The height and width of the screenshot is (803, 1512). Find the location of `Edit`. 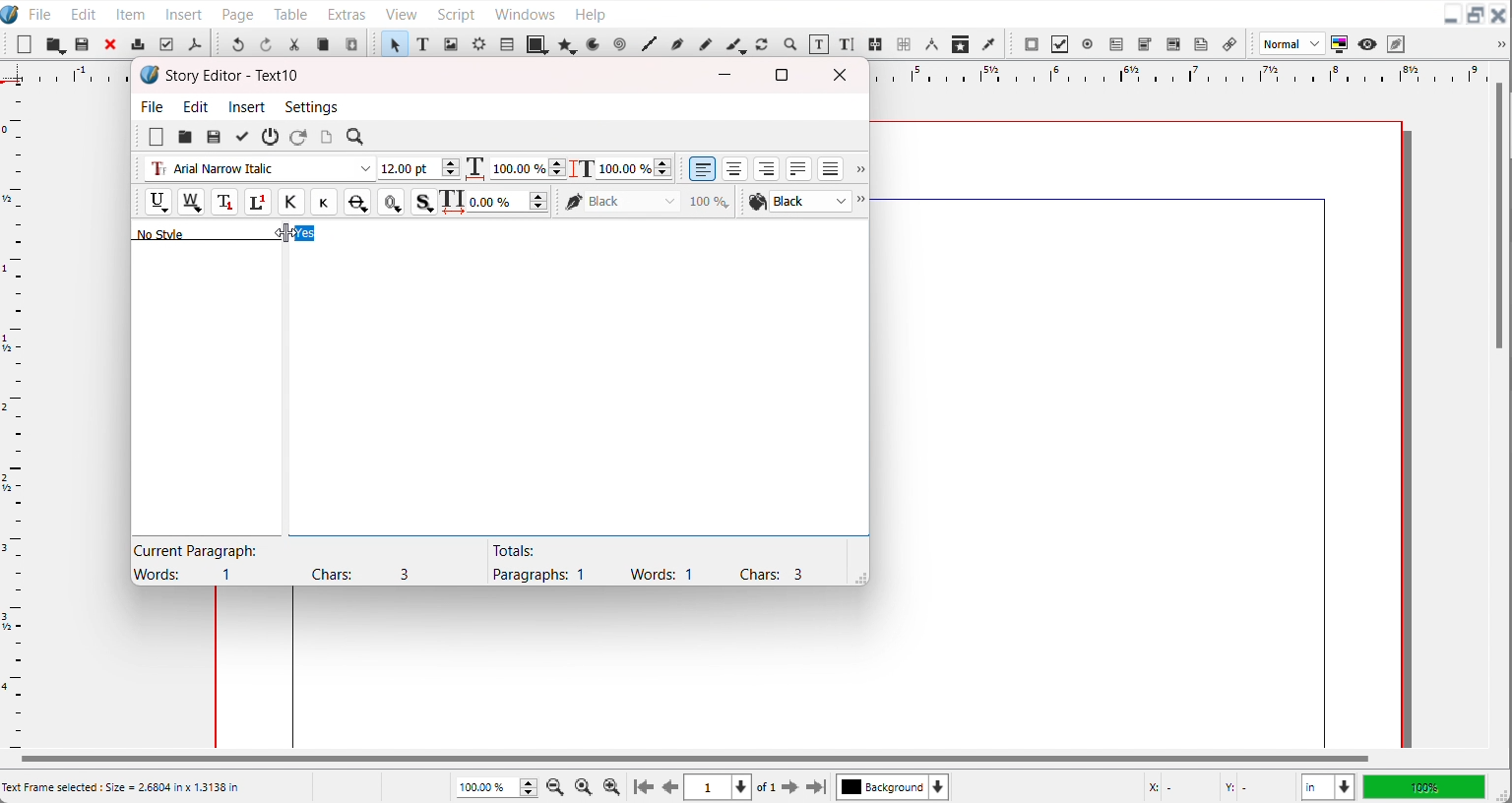

Edit is located at coordinates (197, 106).